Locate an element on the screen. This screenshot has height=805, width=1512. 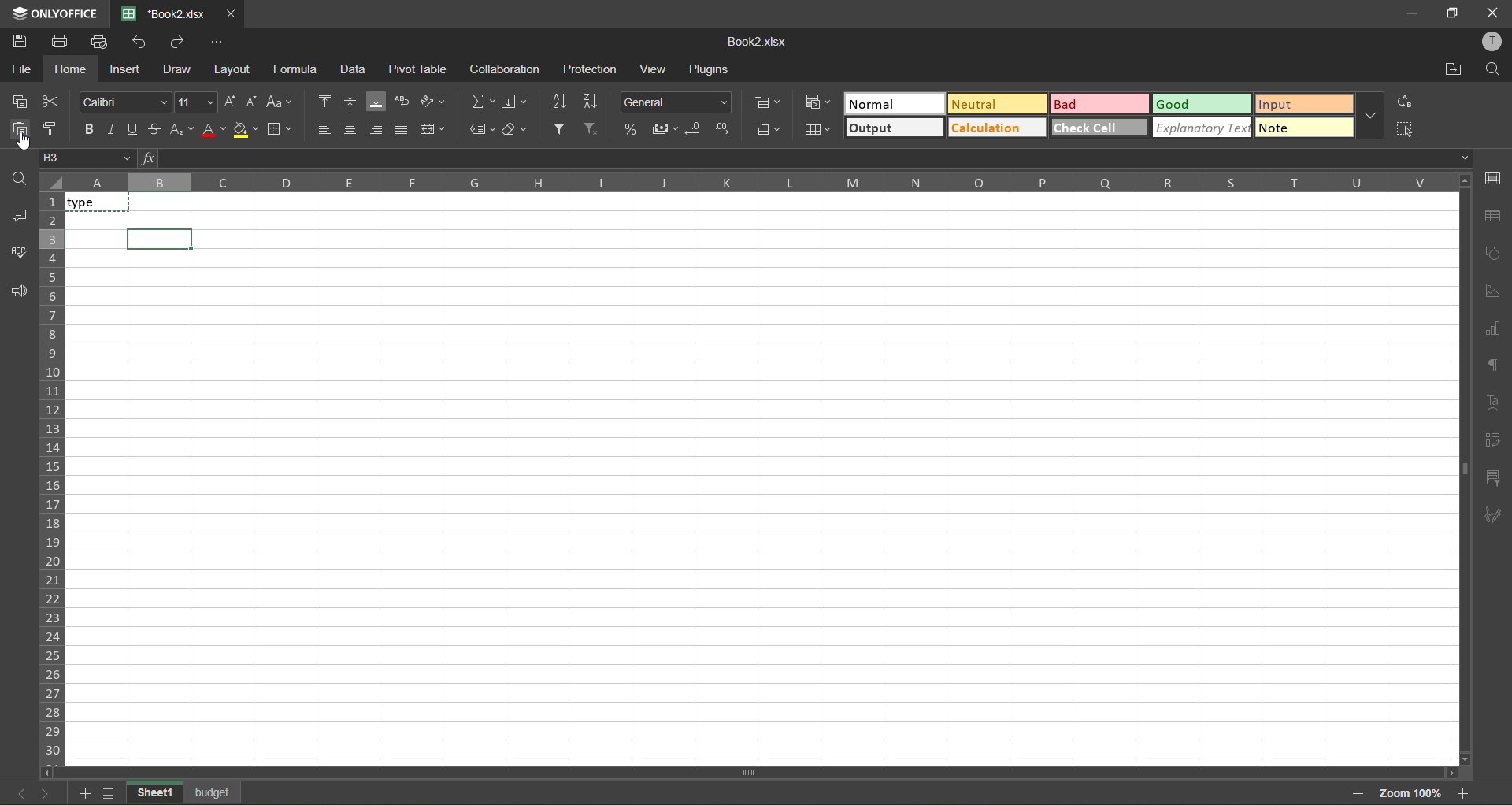
home is located at coordinates (71, 69).